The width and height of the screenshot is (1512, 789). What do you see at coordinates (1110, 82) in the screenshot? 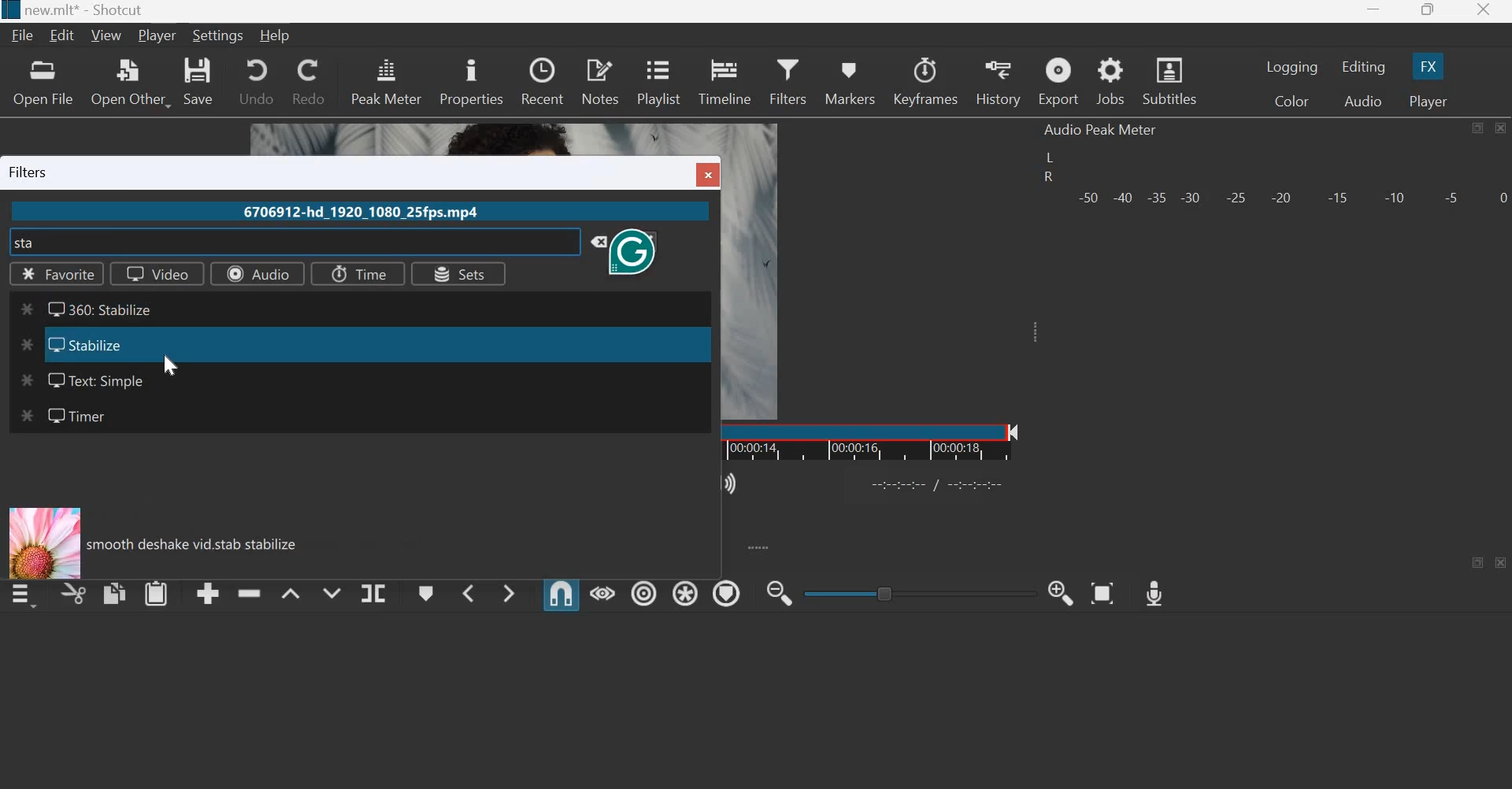
I see `Jobs` at bounding box center [1110, 82].